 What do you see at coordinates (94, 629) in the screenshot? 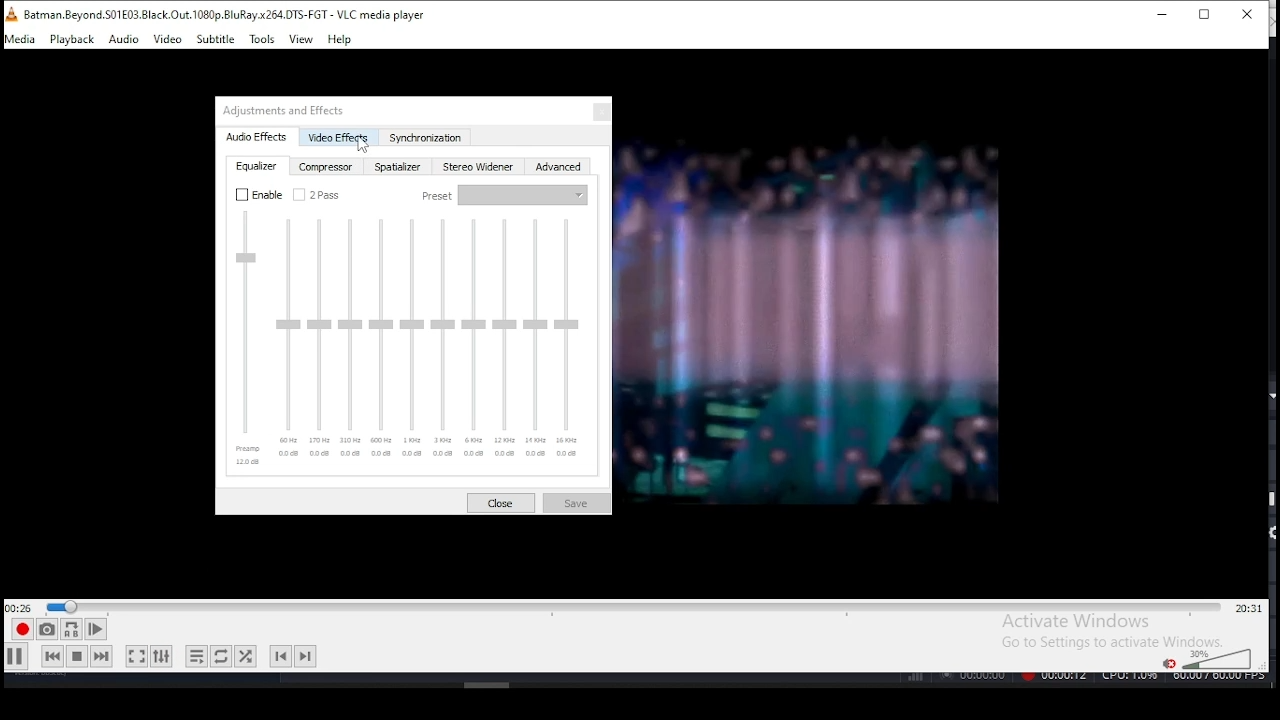
I see `frame by frame` at bounding box center [94, 629].